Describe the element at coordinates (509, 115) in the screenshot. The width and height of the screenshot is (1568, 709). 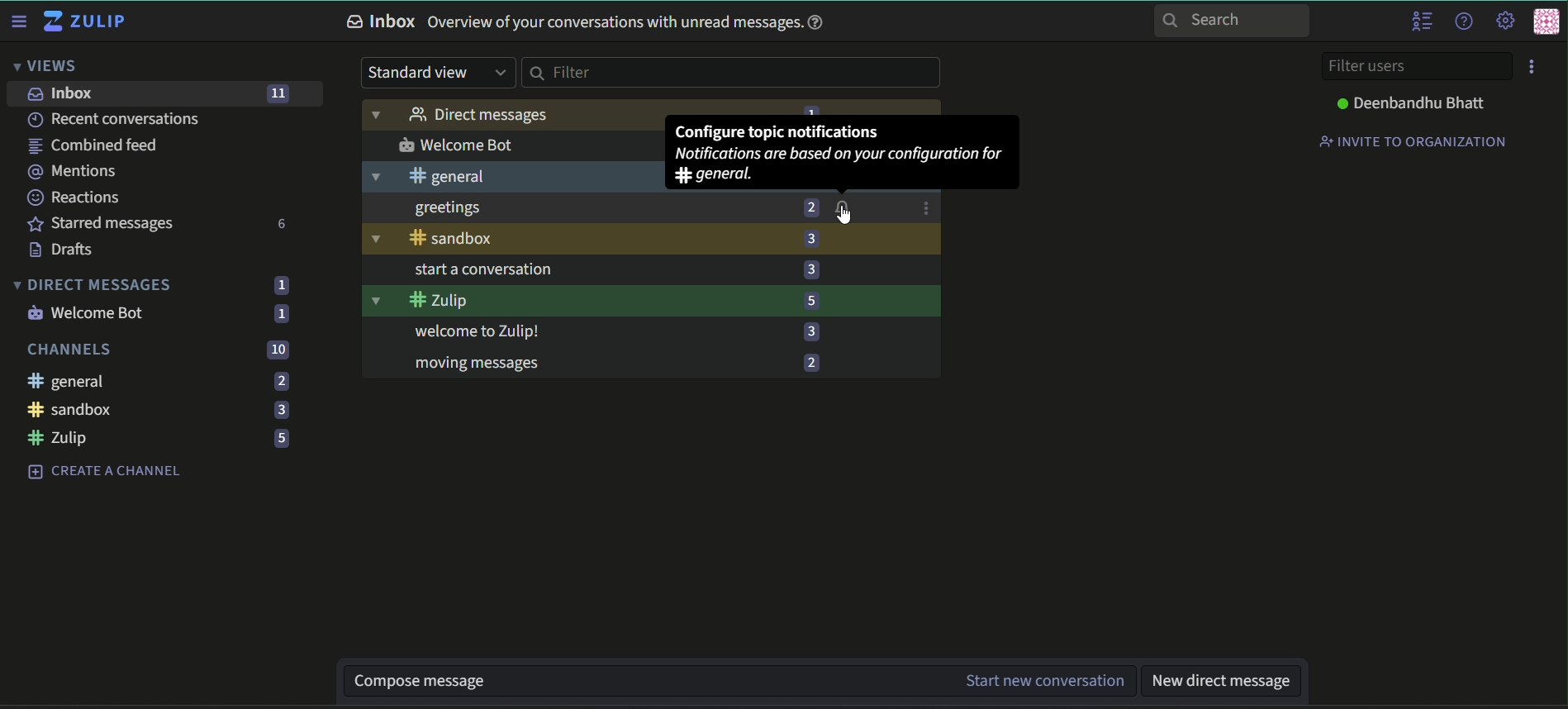
I see `Direct messages` at that location.